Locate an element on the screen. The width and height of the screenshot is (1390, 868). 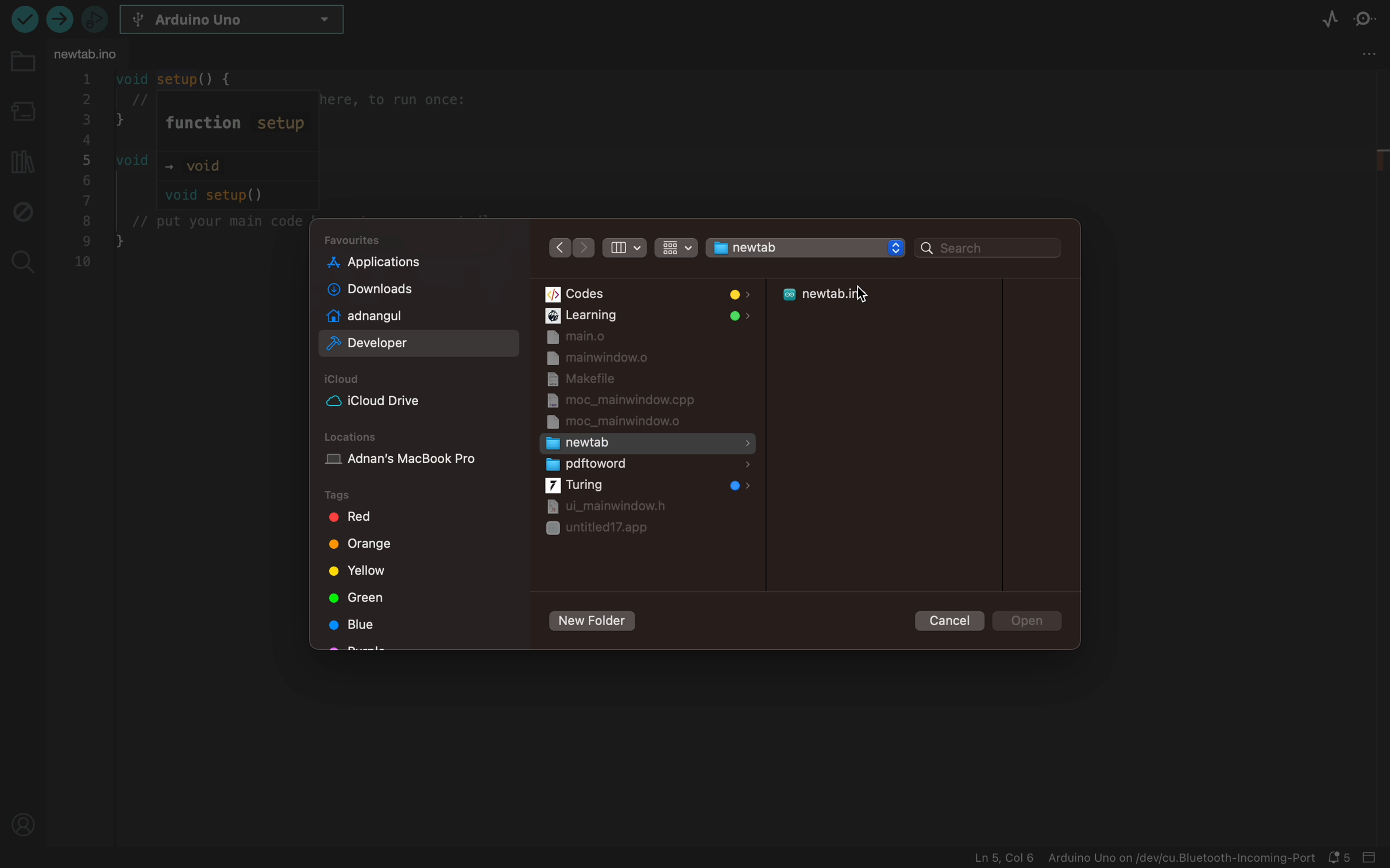
main is located at coordinates (647, 338).